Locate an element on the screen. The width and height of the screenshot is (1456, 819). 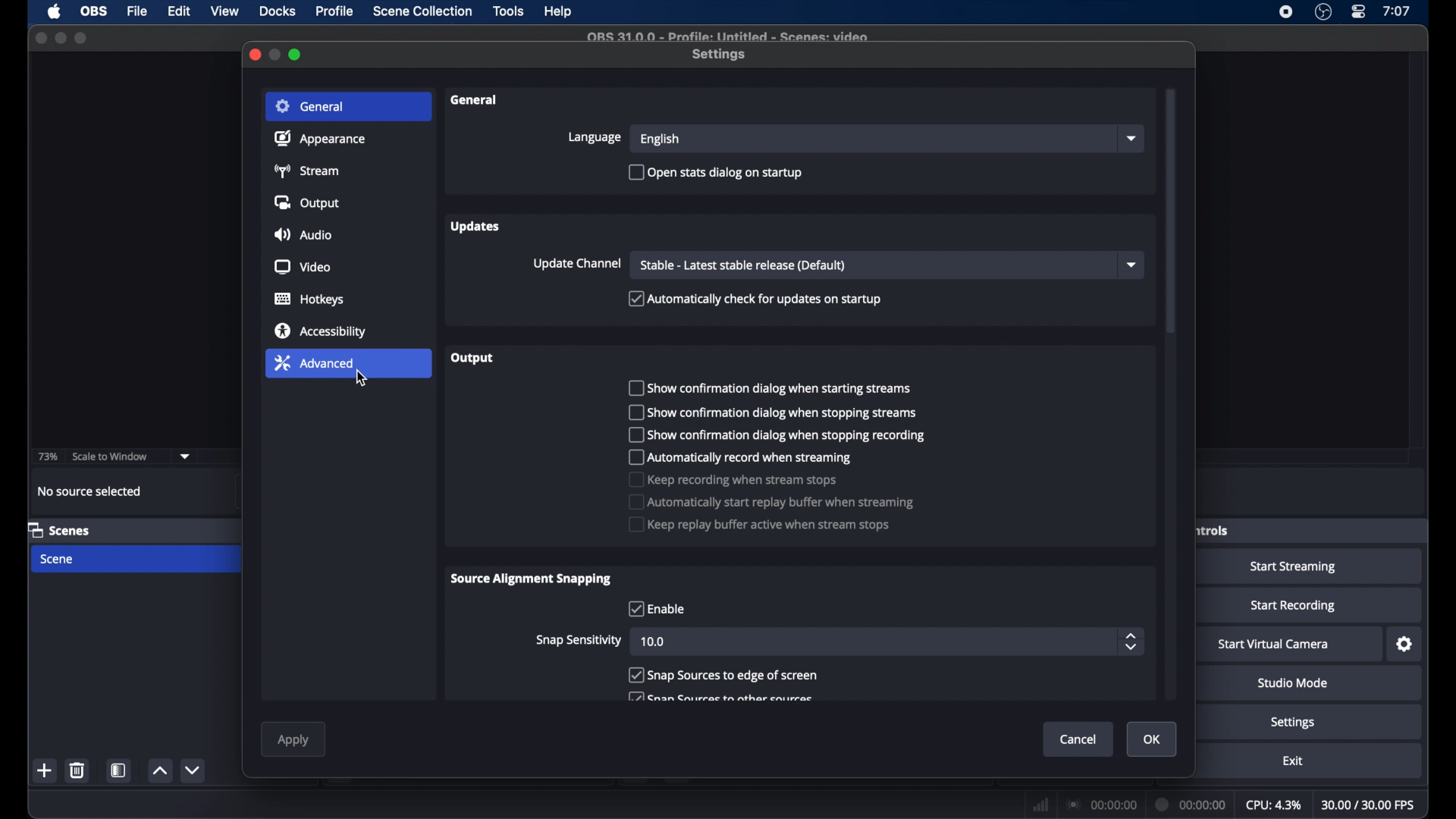
duration is located at coordinates (1192, 803).